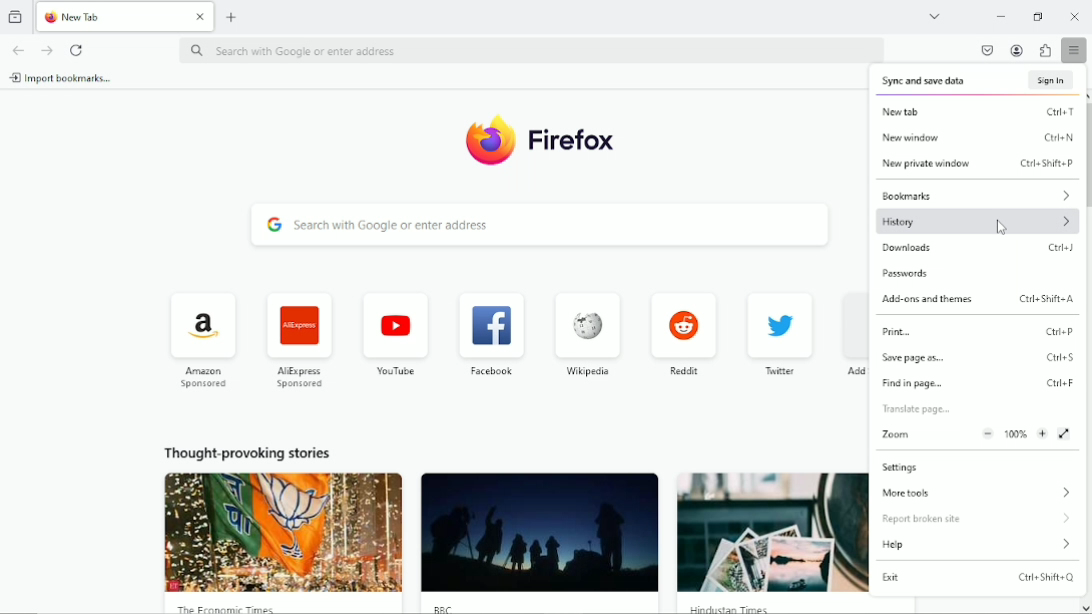  What do you see at coordinates (300, 339) in the screenshot?
I see `AliExpress Sponsored` at bounding box center [300, 339].